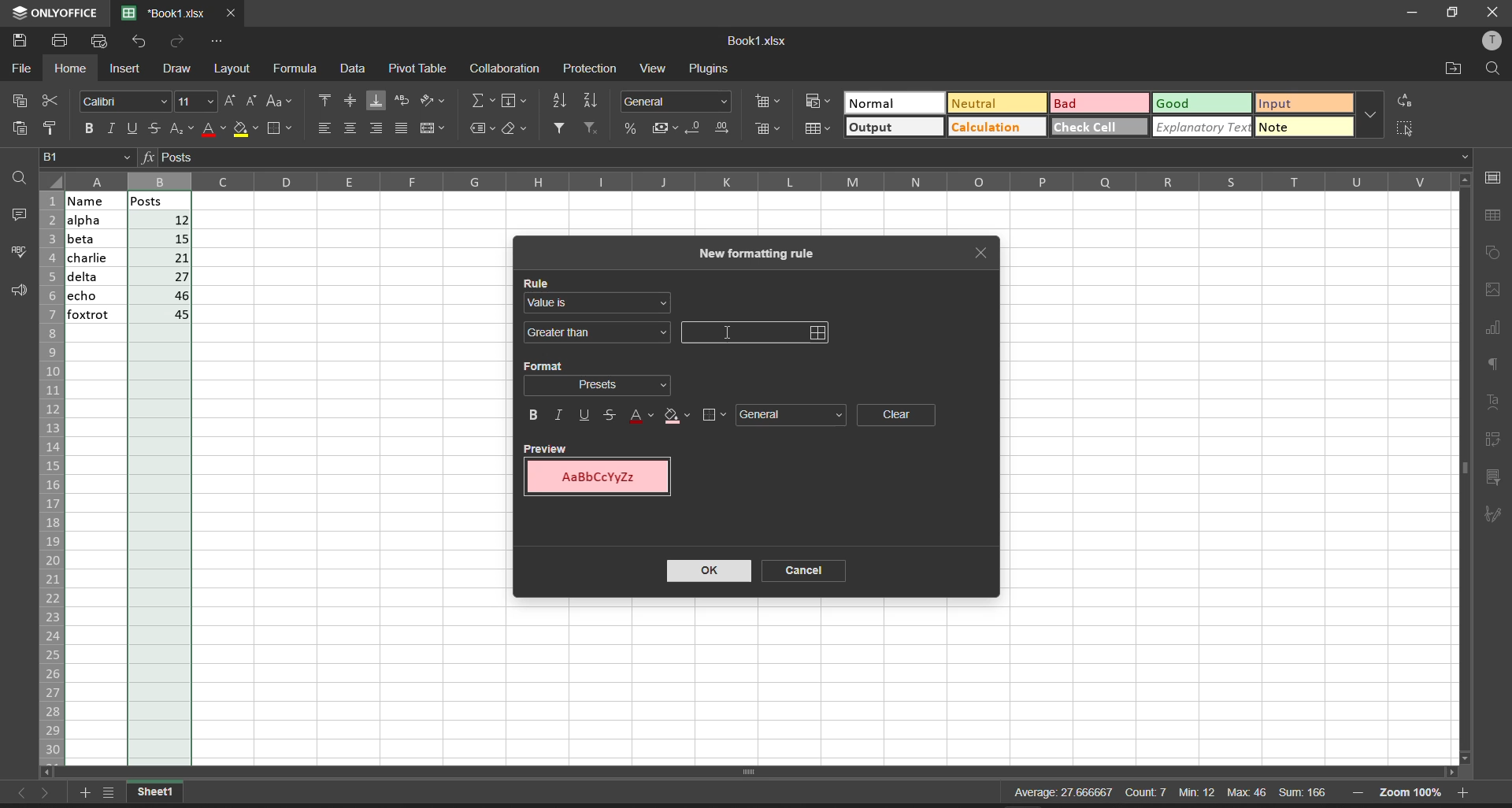  What do you see at coordinates (401, 130) in the screenshot?
I see `justified` at bounding box center [401, 130].